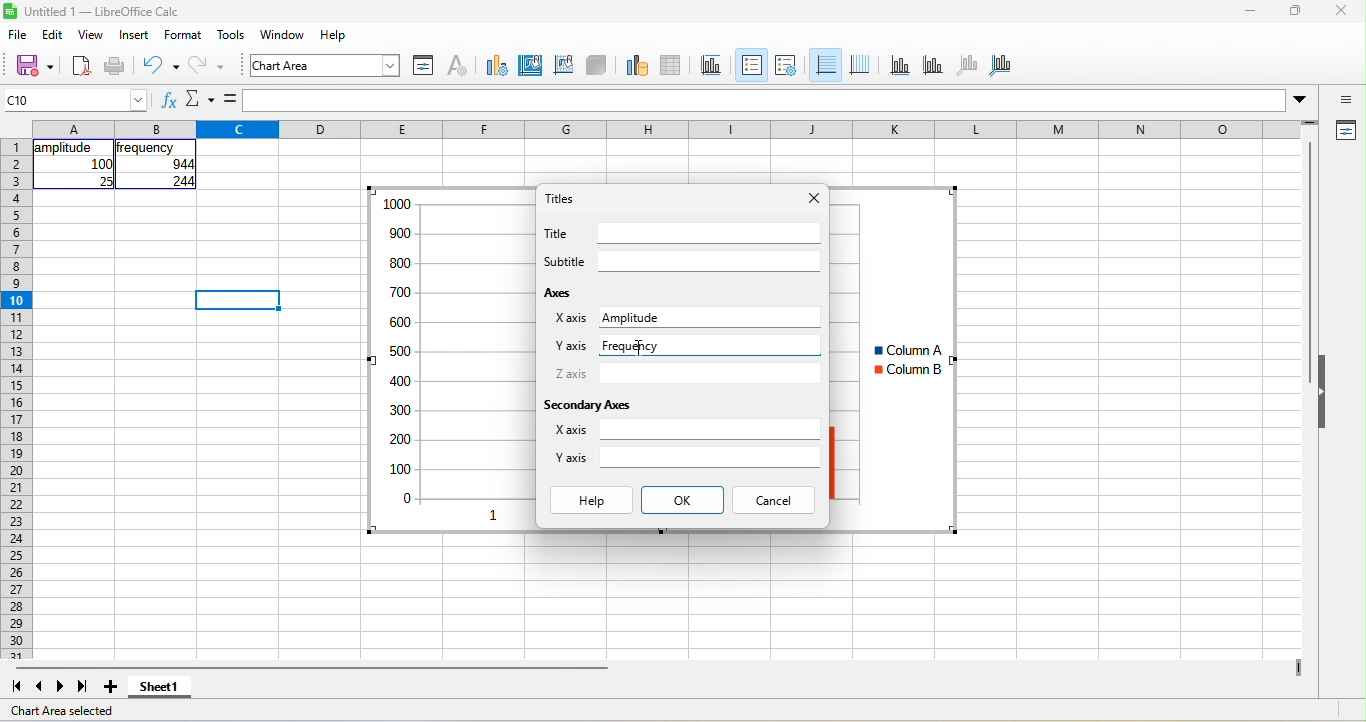  Describe the element at coordinates (586, 405) in the screenshot. I see `secondary axes` at that location.